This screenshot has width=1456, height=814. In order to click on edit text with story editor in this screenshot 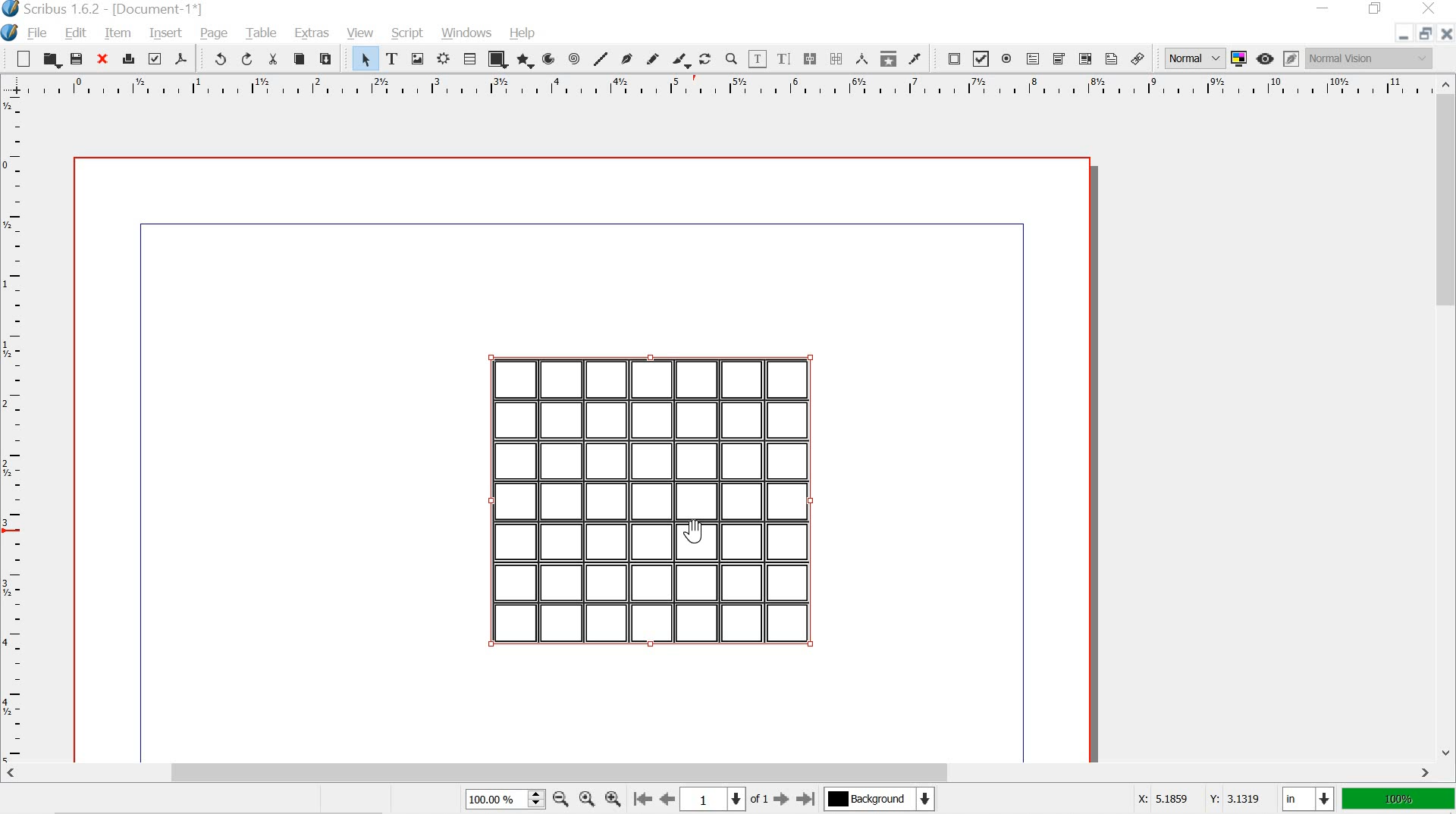, I will do `click(783, 58)`.